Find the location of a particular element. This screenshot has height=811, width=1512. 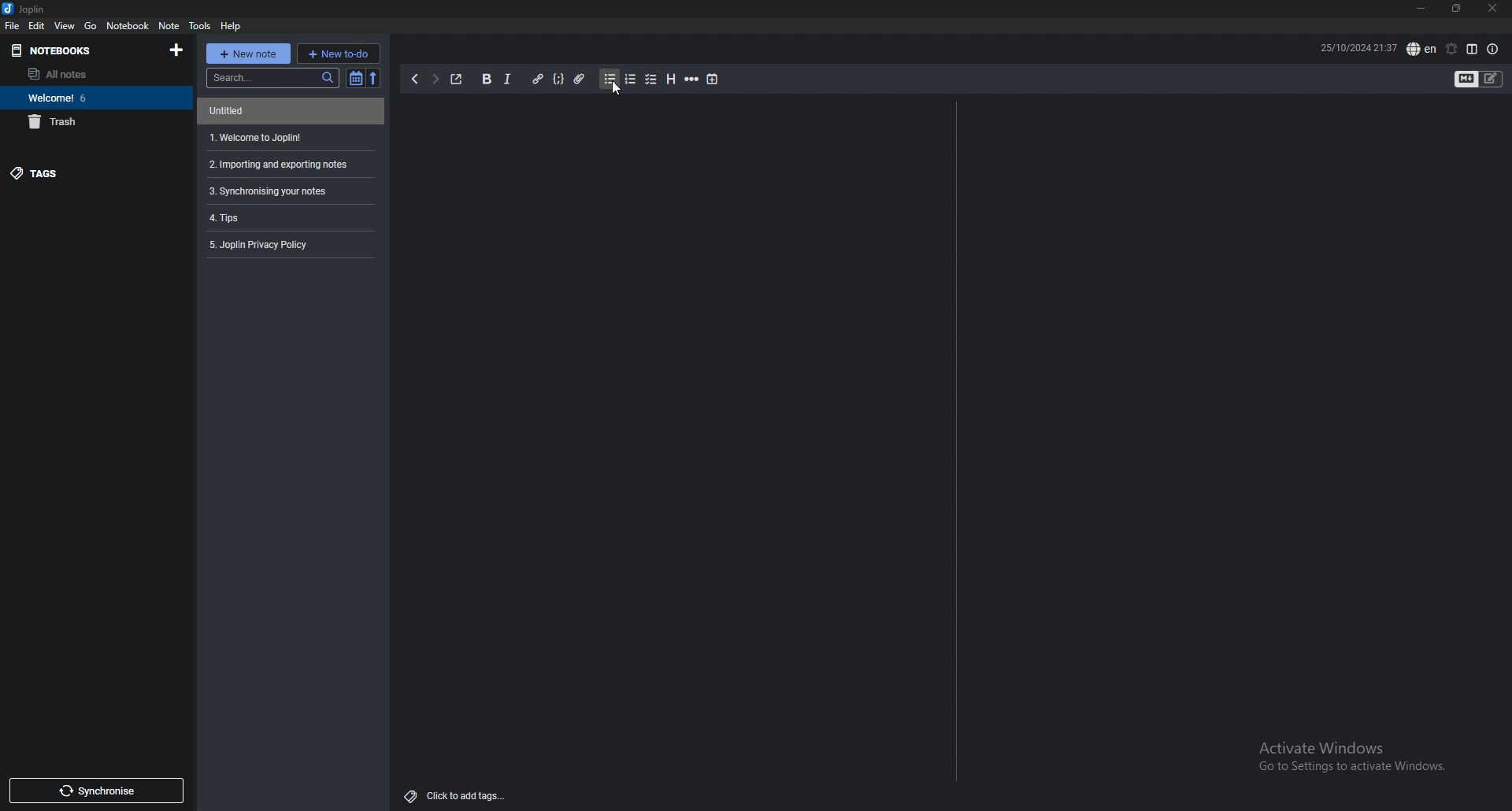

Toggle editors is located at coordinates (1478, 78).